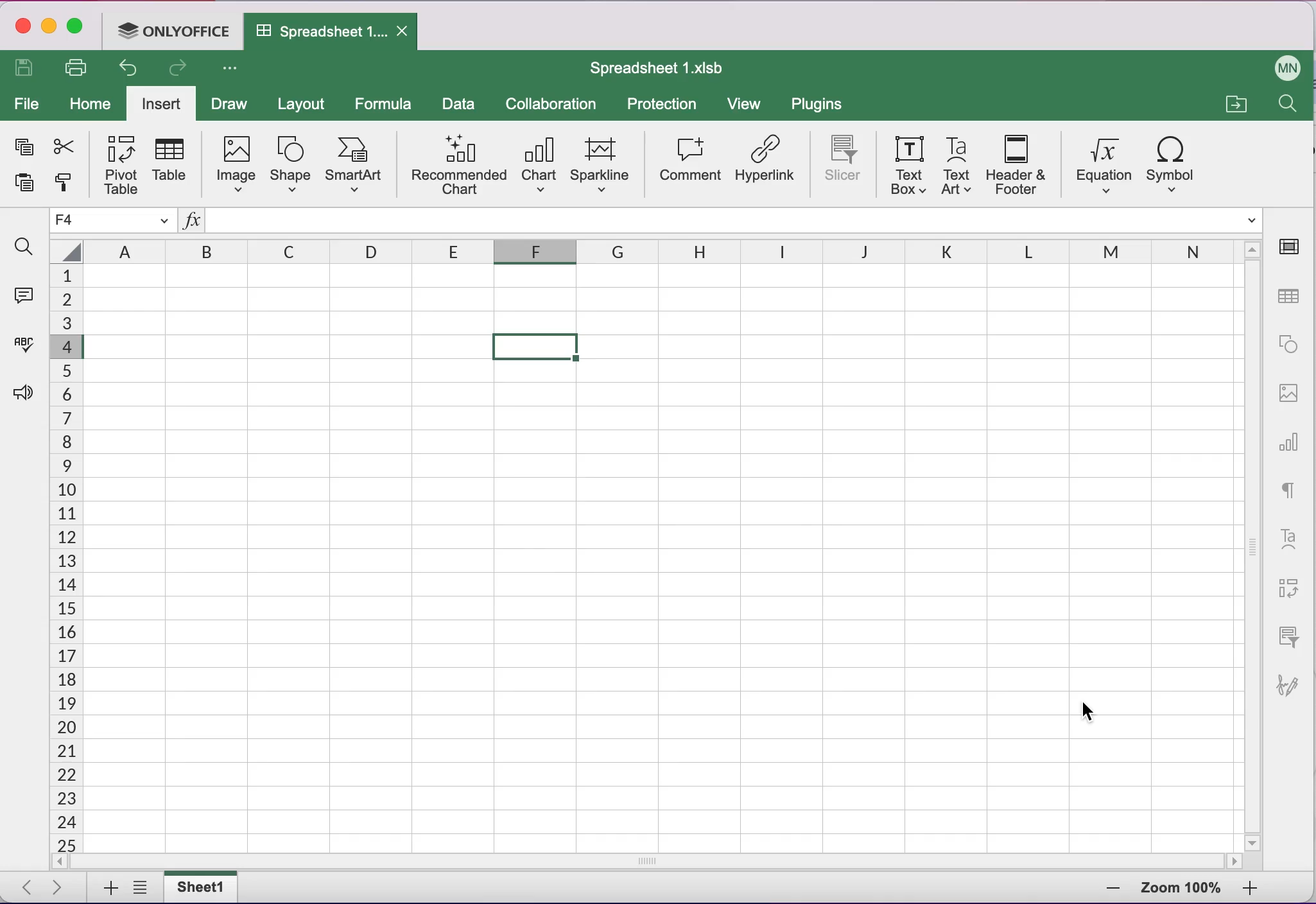  Describe the element at coordinates (458, 164) in the screenshot. I see `recommended chart` at that location.